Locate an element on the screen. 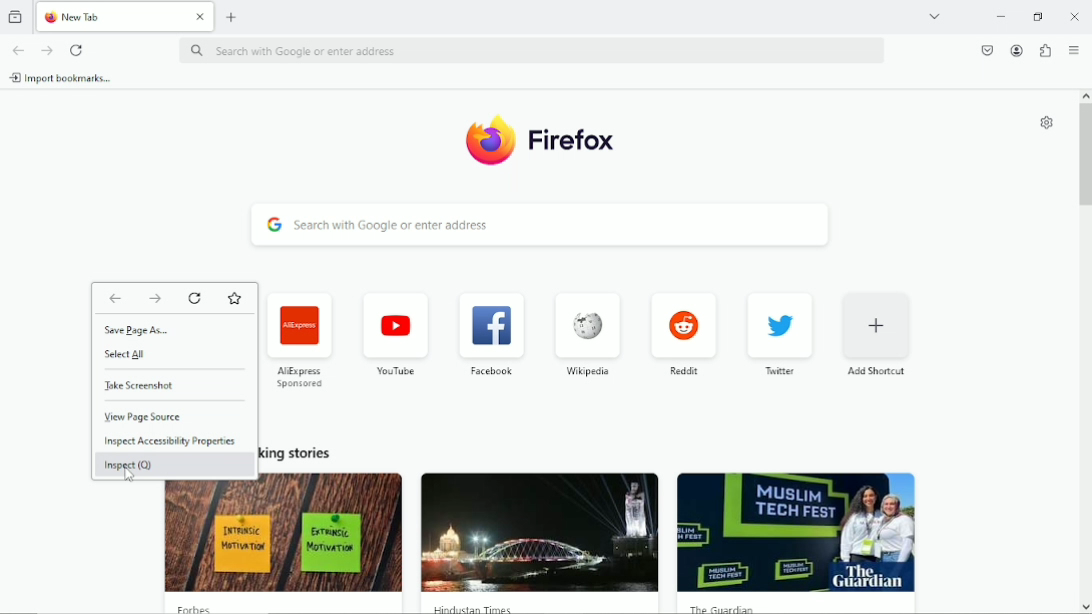 The height and width of the screenshot is (614, 1092). Select all is located at coordinates (124, 355).